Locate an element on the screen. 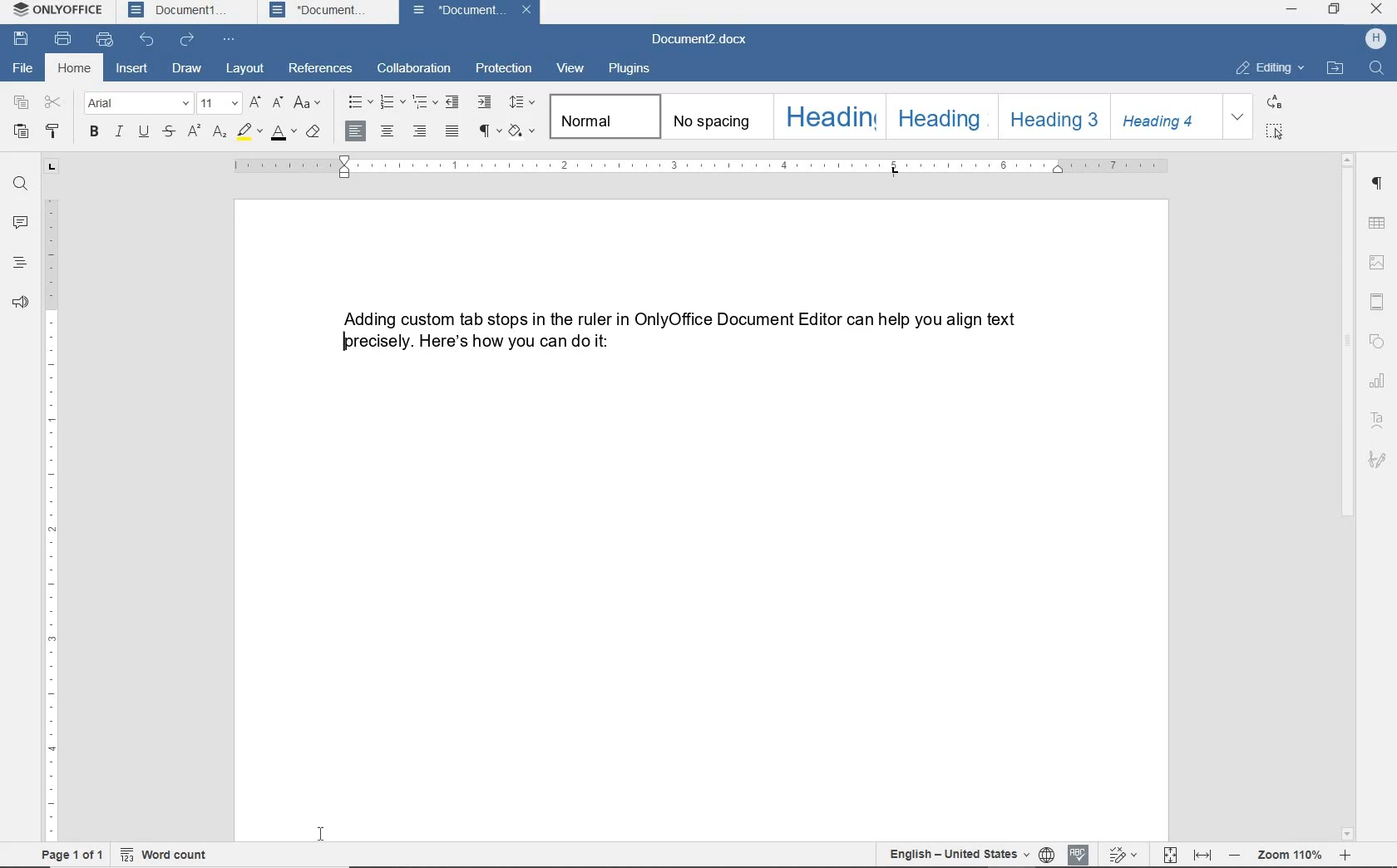 This screenshot has height=868, width=1397. text language is located at coordinates (955, 853).